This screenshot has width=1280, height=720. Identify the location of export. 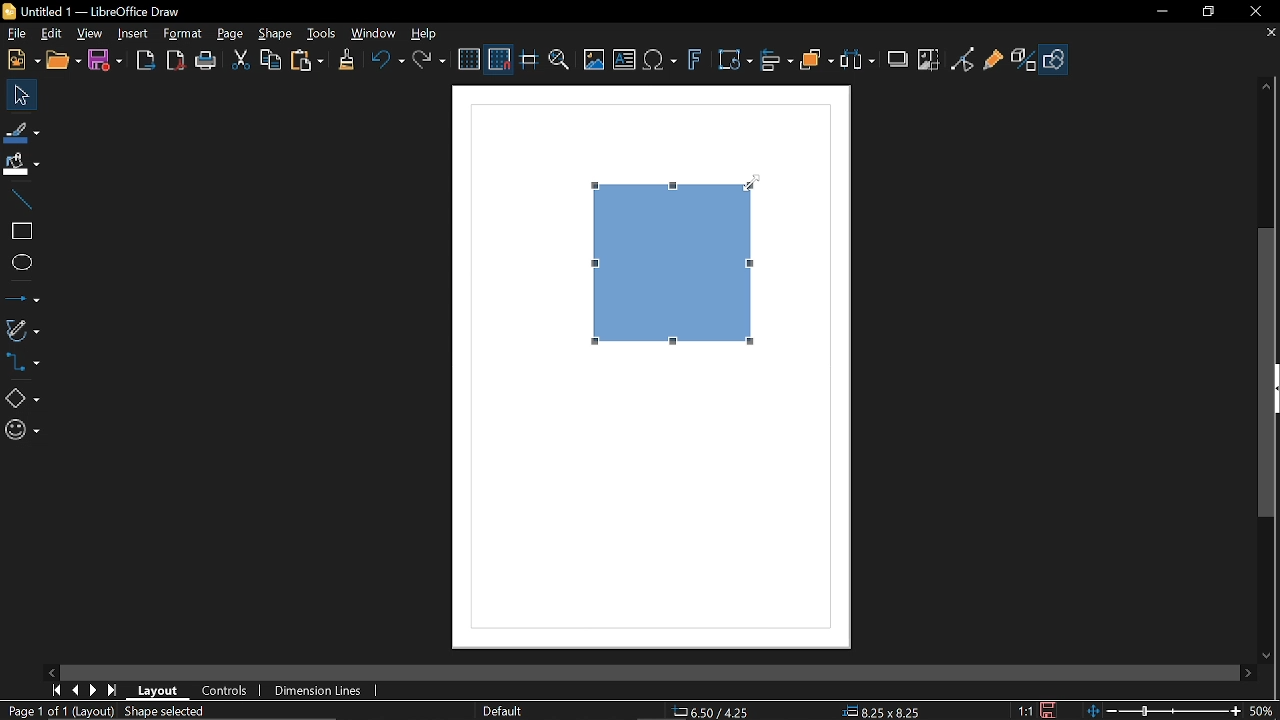
(147, 60).